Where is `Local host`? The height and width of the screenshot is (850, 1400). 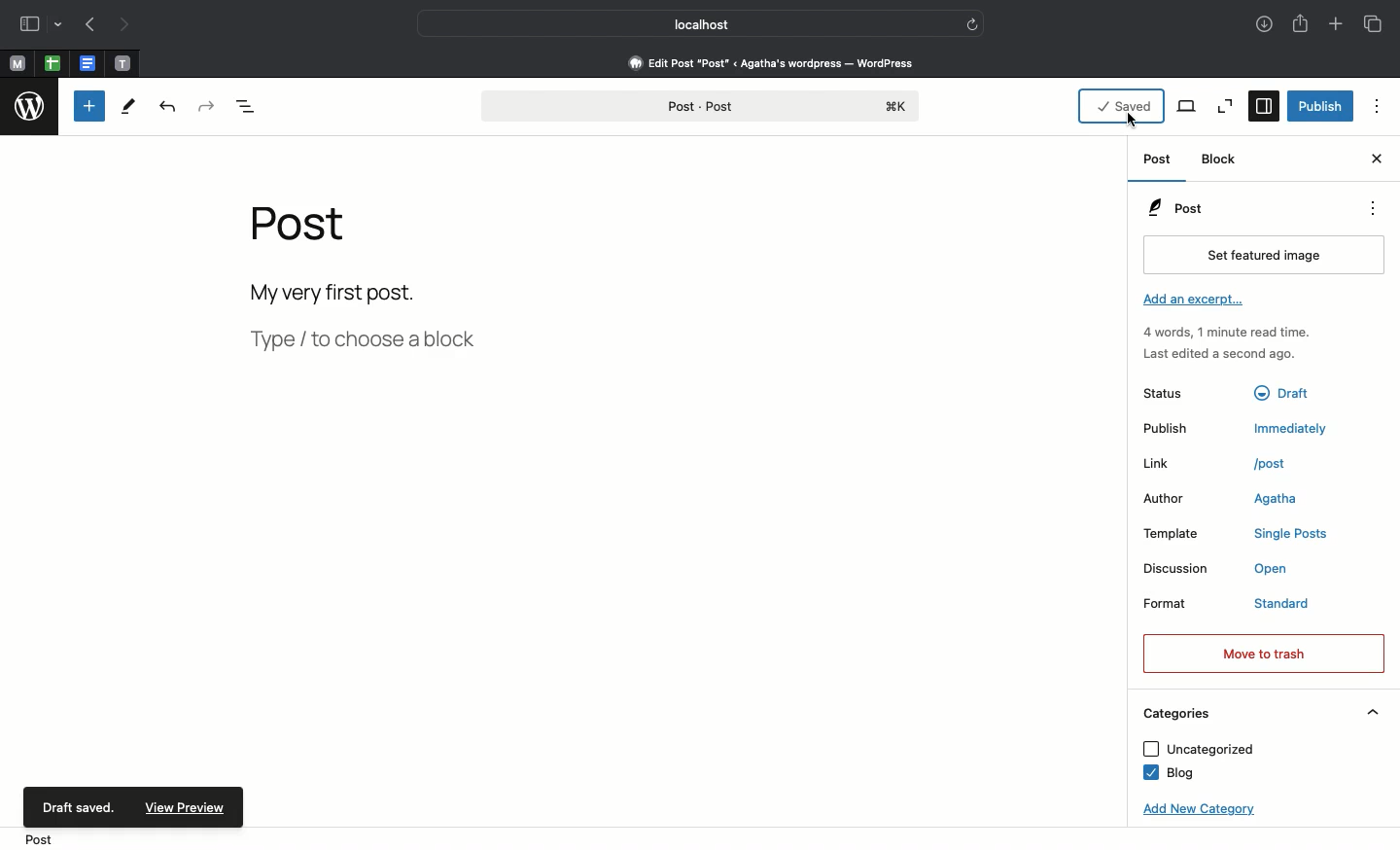 Local host is located at coordinates (688, 23).